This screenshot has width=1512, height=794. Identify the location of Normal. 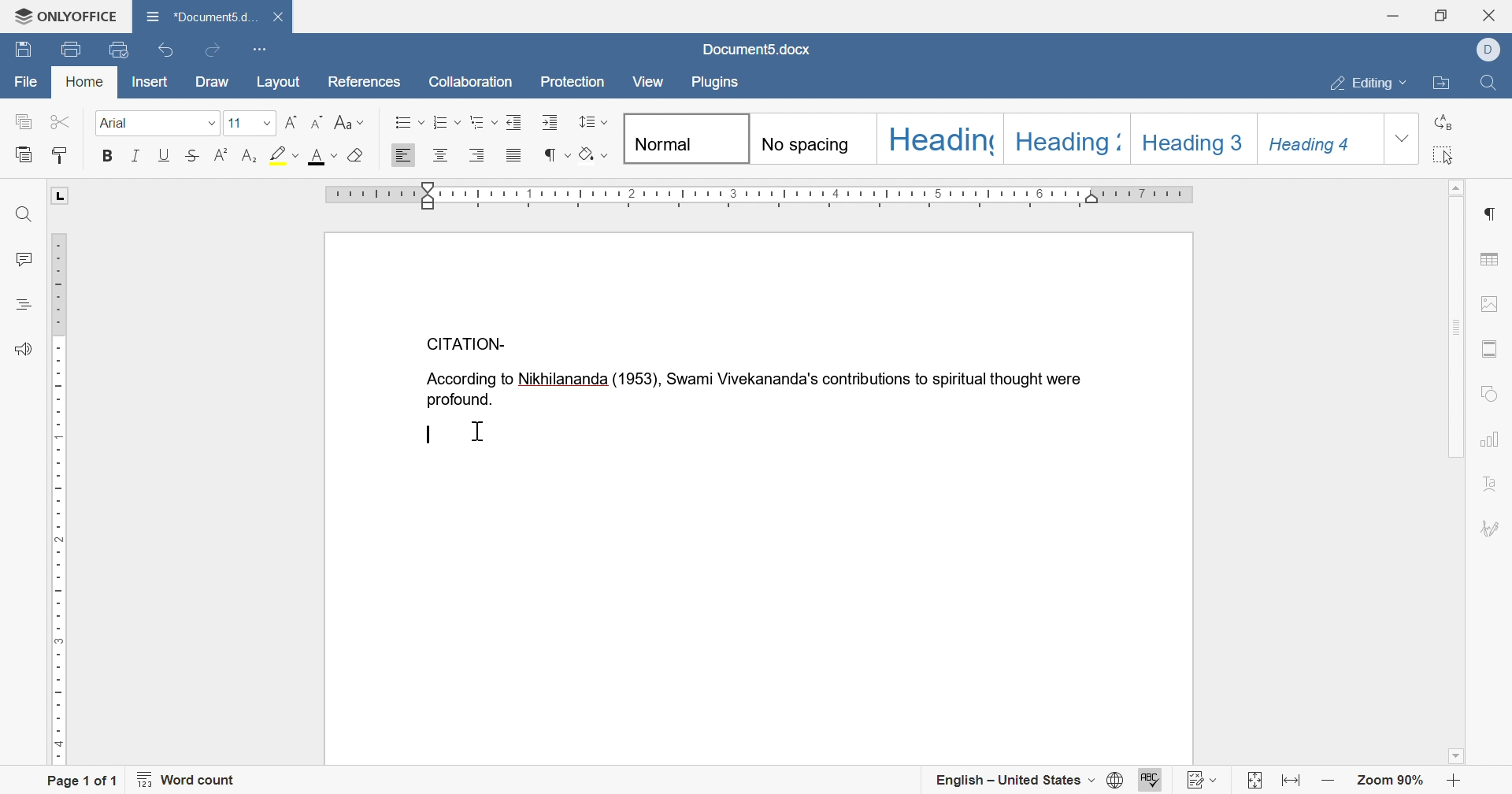
(685, 139).